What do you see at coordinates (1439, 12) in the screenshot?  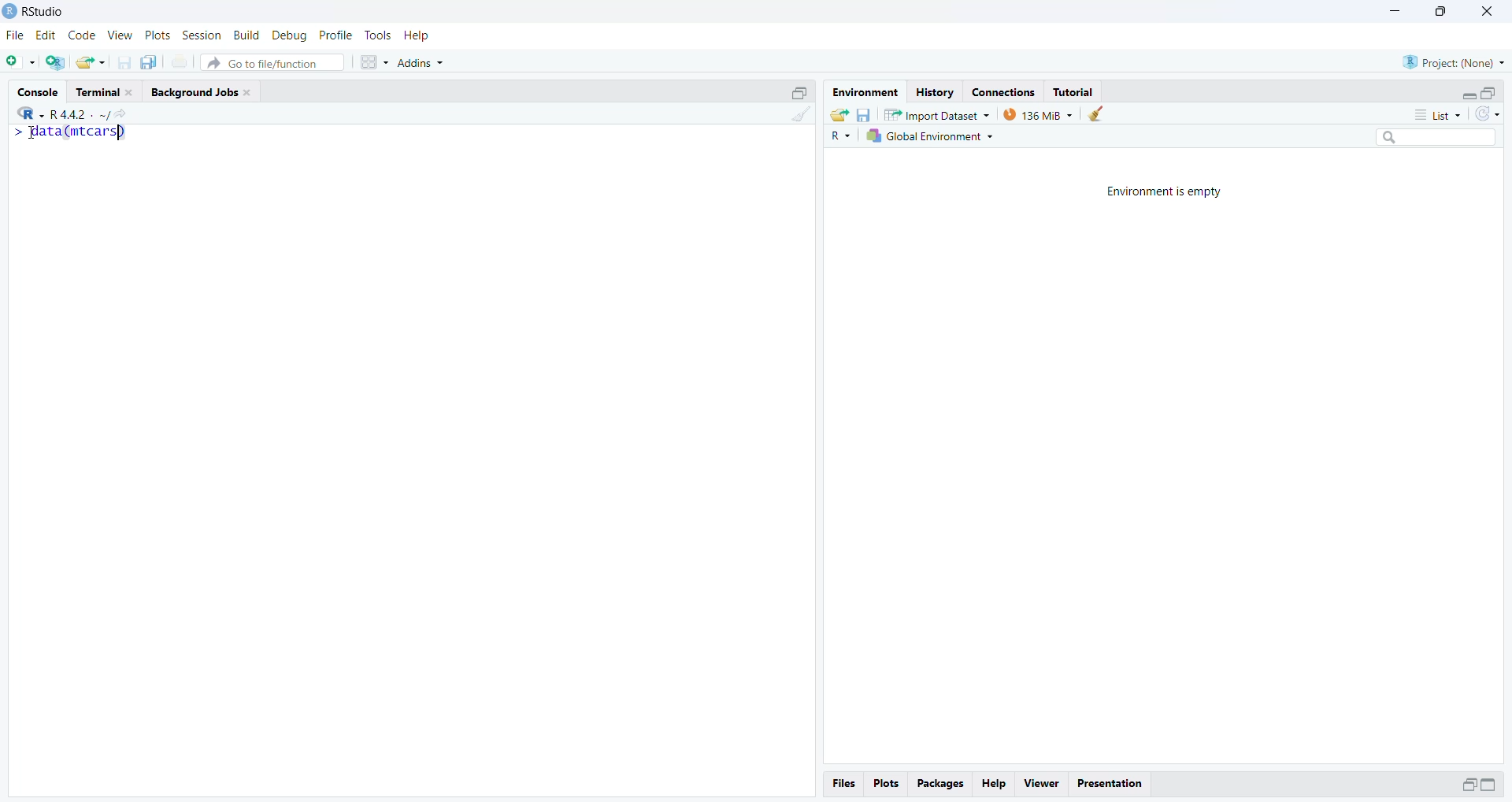 I see `Maximize` at bounding box center [1439, 12].